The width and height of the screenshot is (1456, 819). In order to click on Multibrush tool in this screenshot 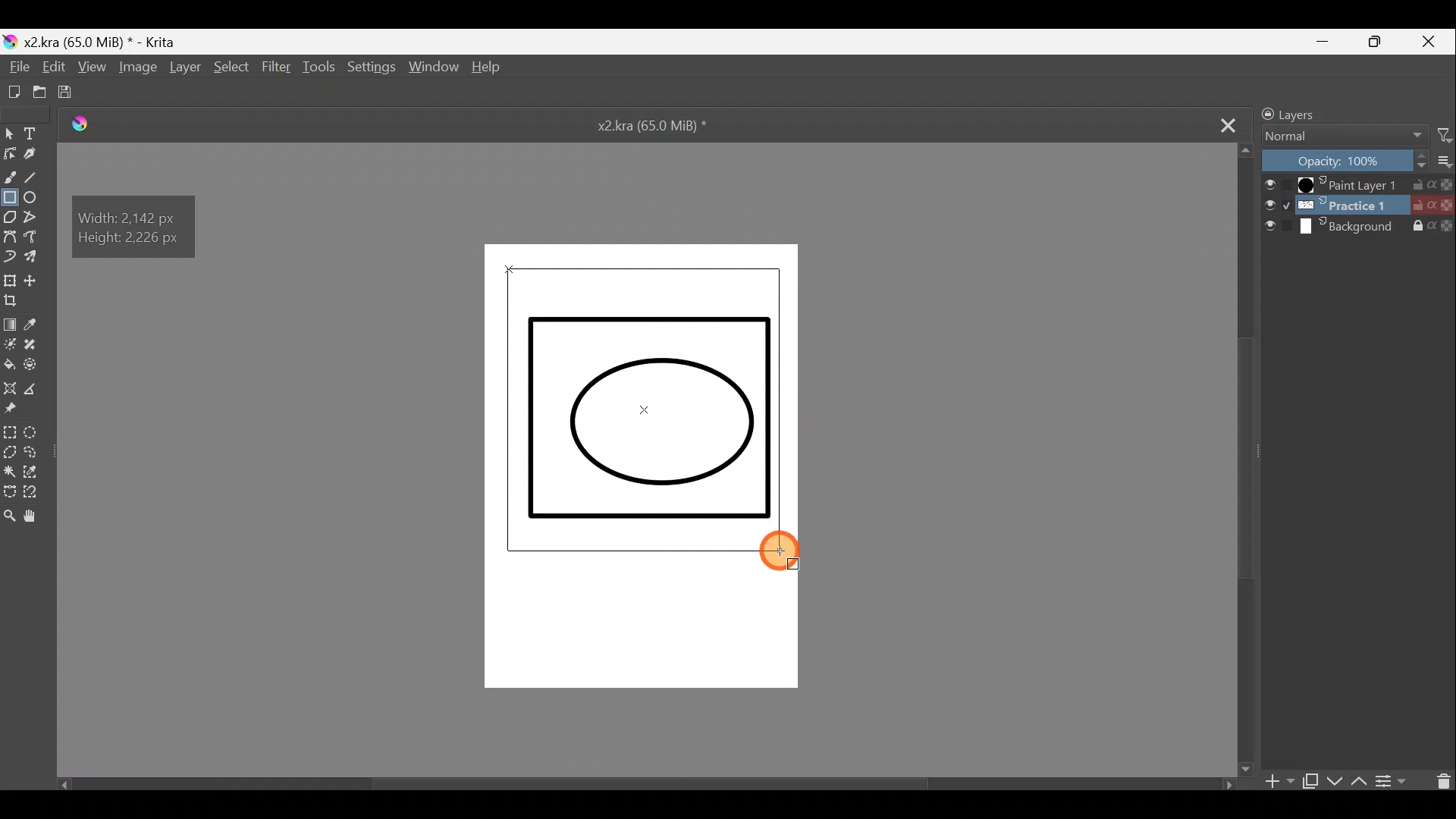, I will do `click(37, 257)`.